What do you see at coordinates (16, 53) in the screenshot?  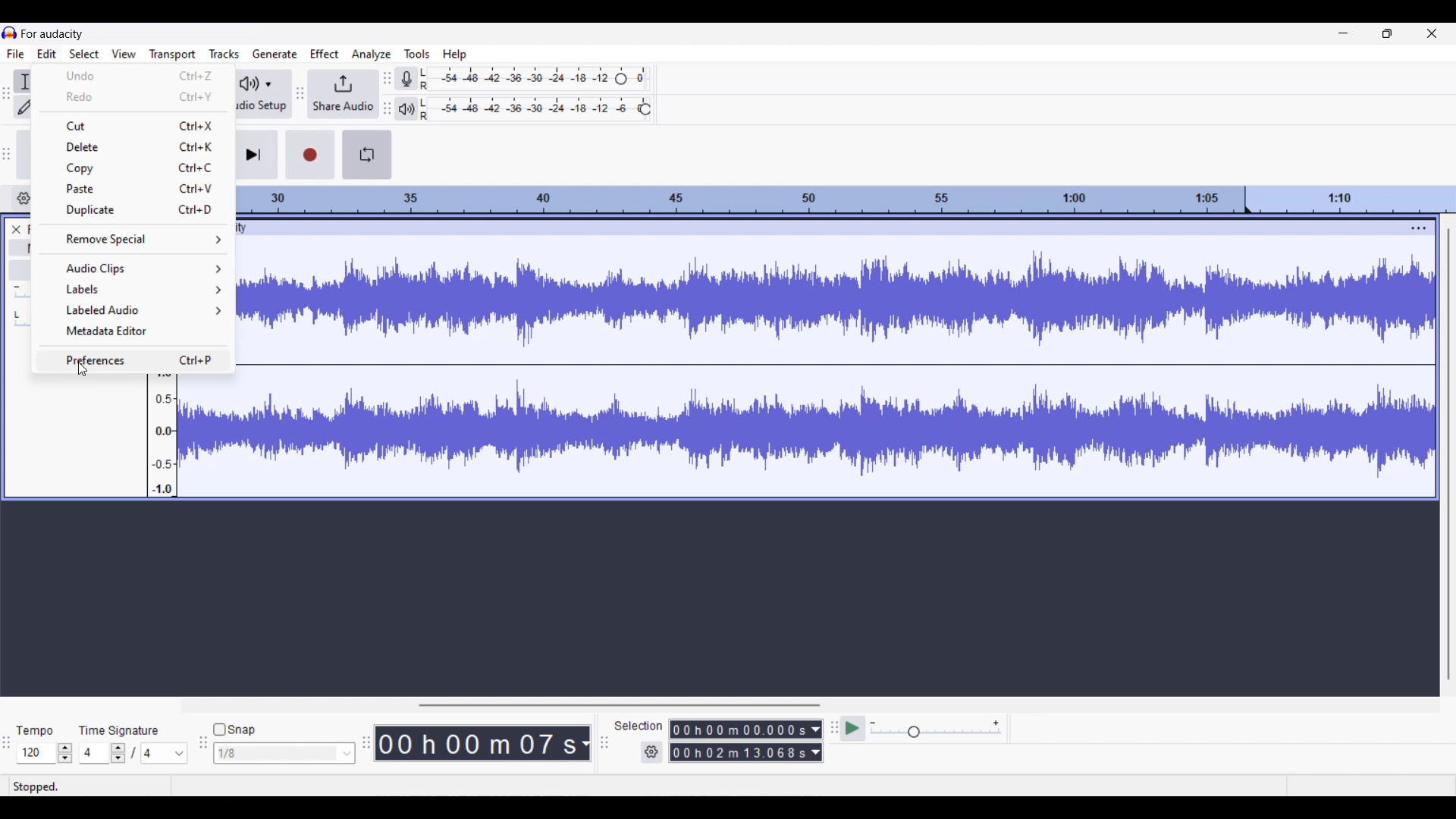 I see `File menu` at bounding box center [16, 53].